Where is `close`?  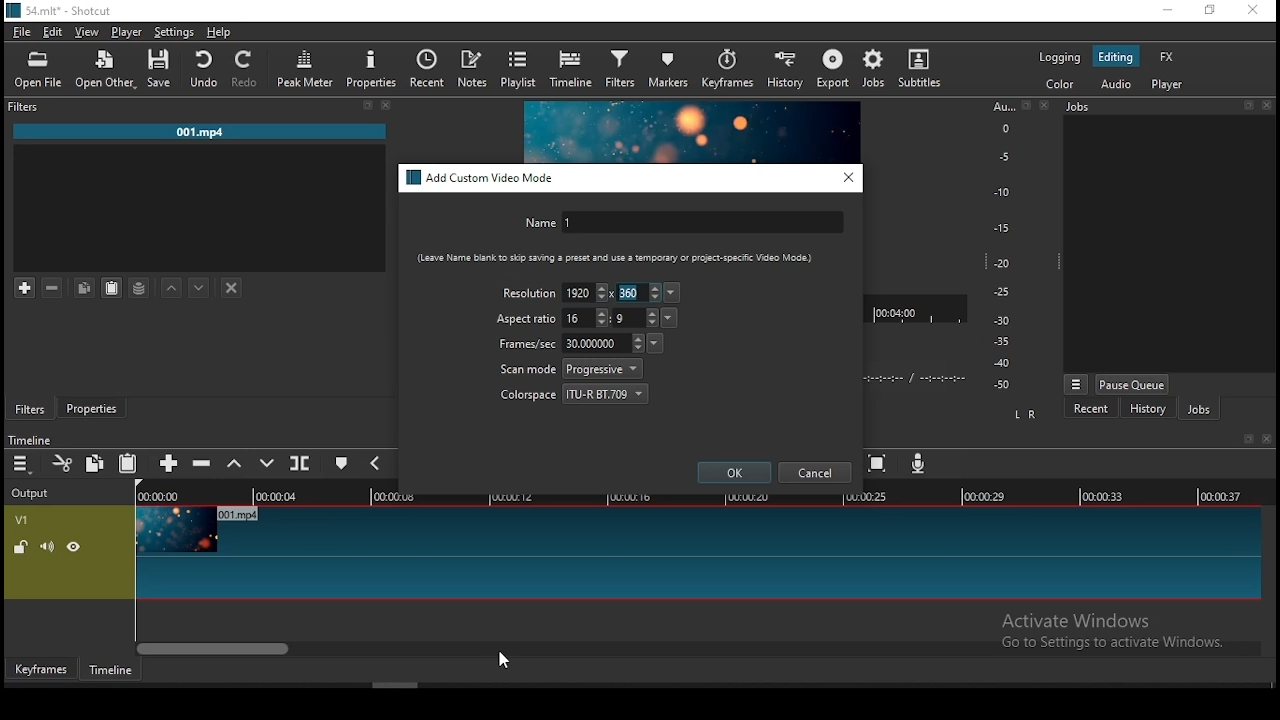
close is located at coordinates (1270, 106).